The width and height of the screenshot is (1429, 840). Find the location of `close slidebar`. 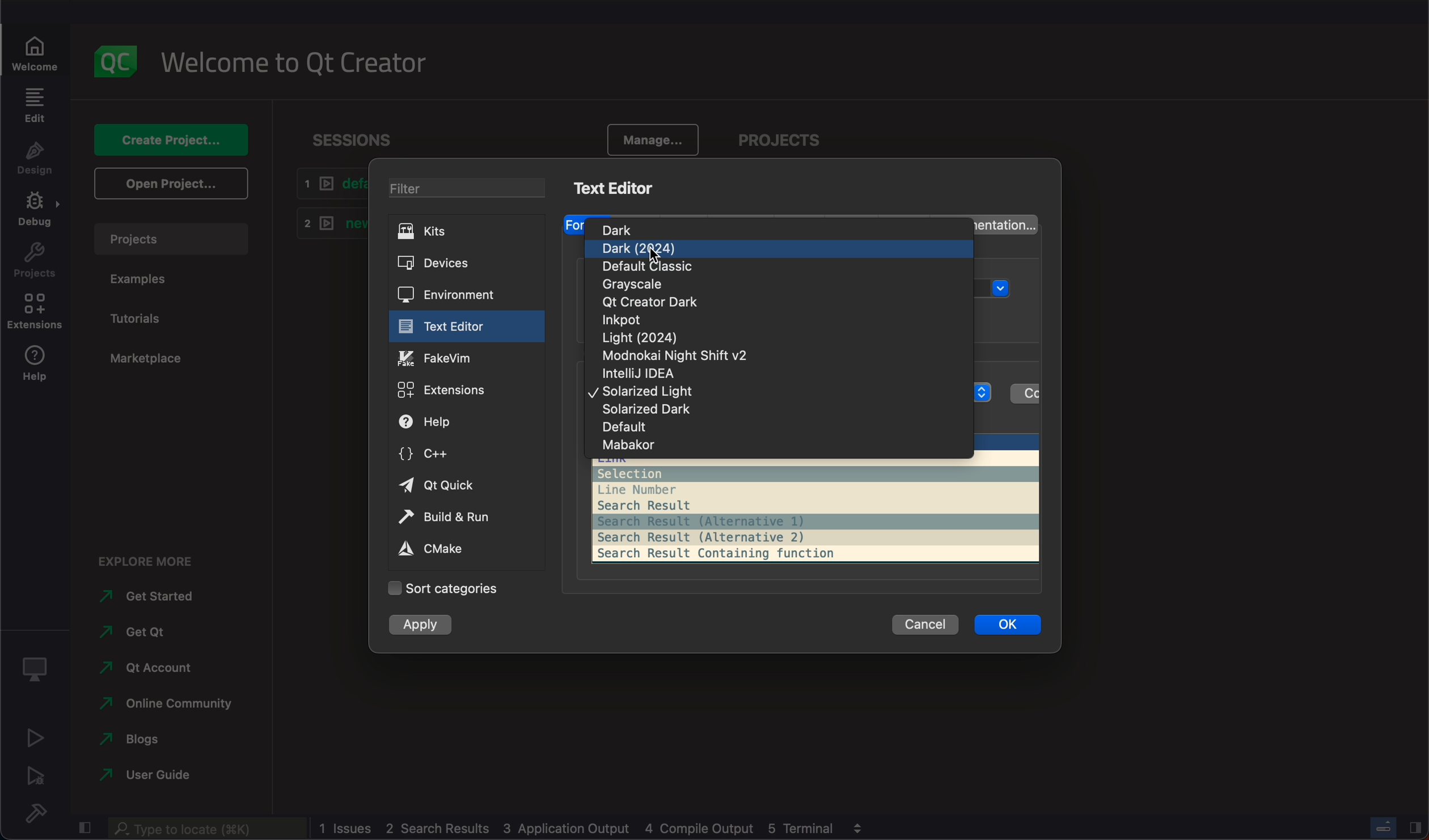

close slidebar is located at coordinates (1416, 828).